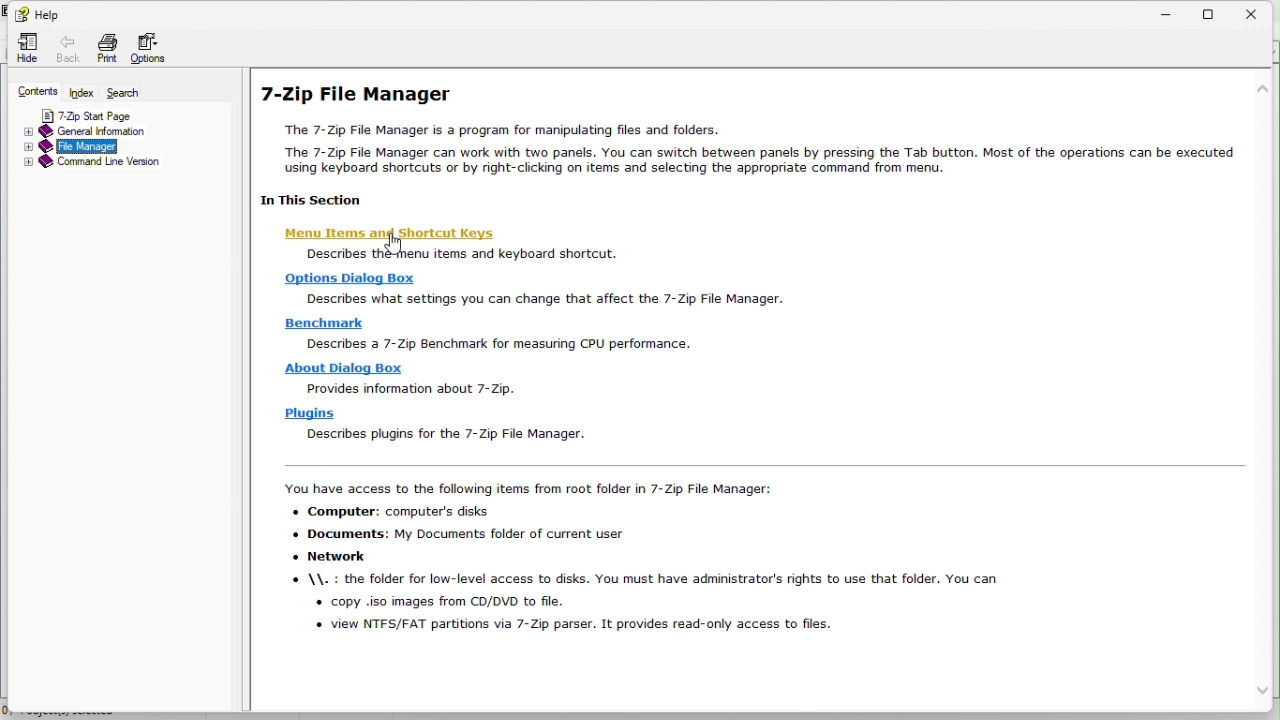 The height and width of the screenshot is (720, 1280). Describe the element at coordinates (39, 15) in the screenshot. I see `Help` at that location.